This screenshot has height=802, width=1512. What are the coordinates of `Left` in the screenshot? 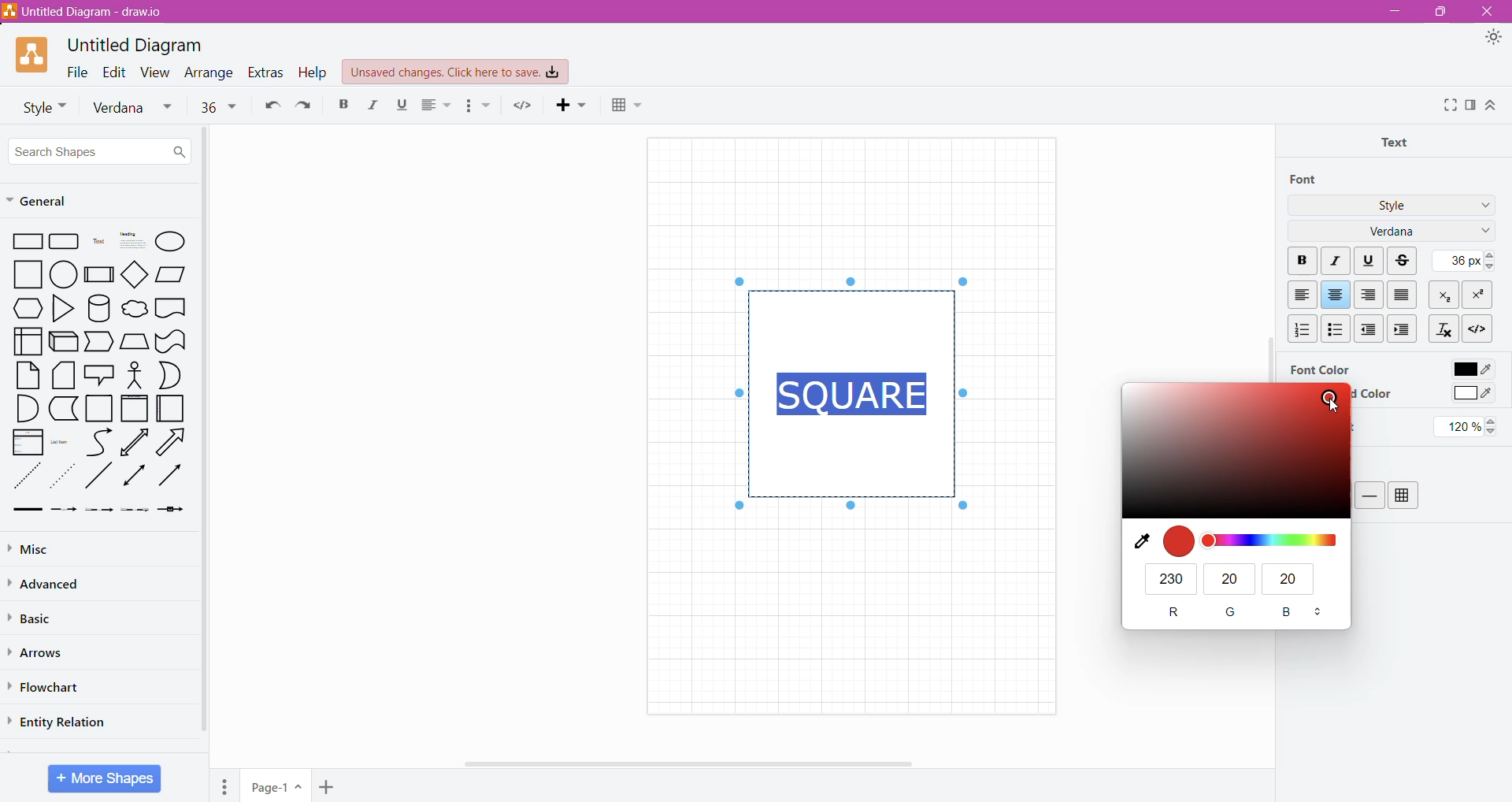 It's located at (1302, 295).